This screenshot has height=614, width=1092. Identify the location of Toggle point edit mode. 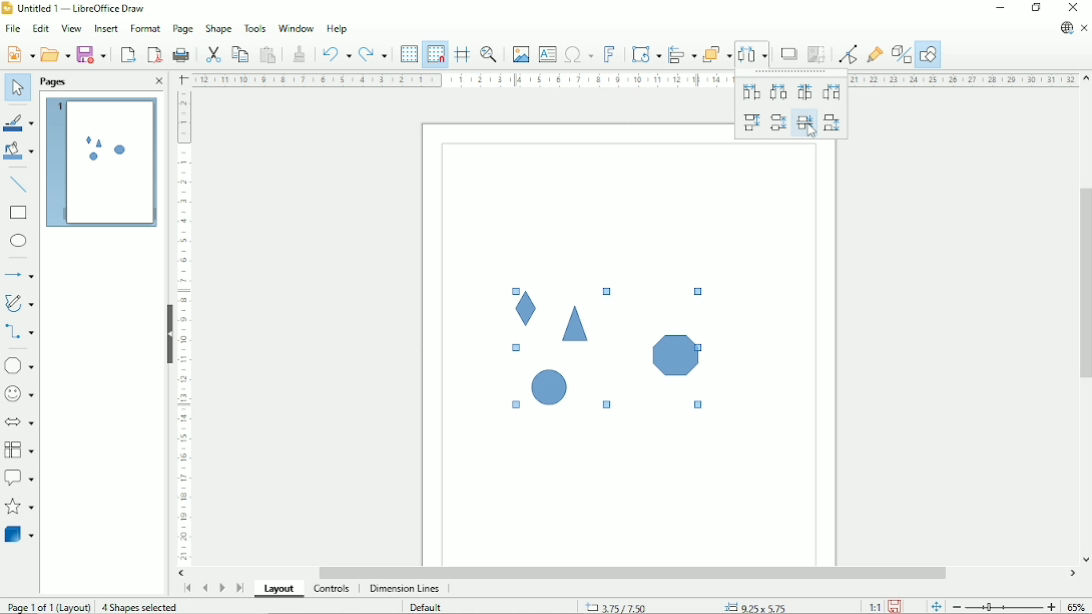
(846, 53).